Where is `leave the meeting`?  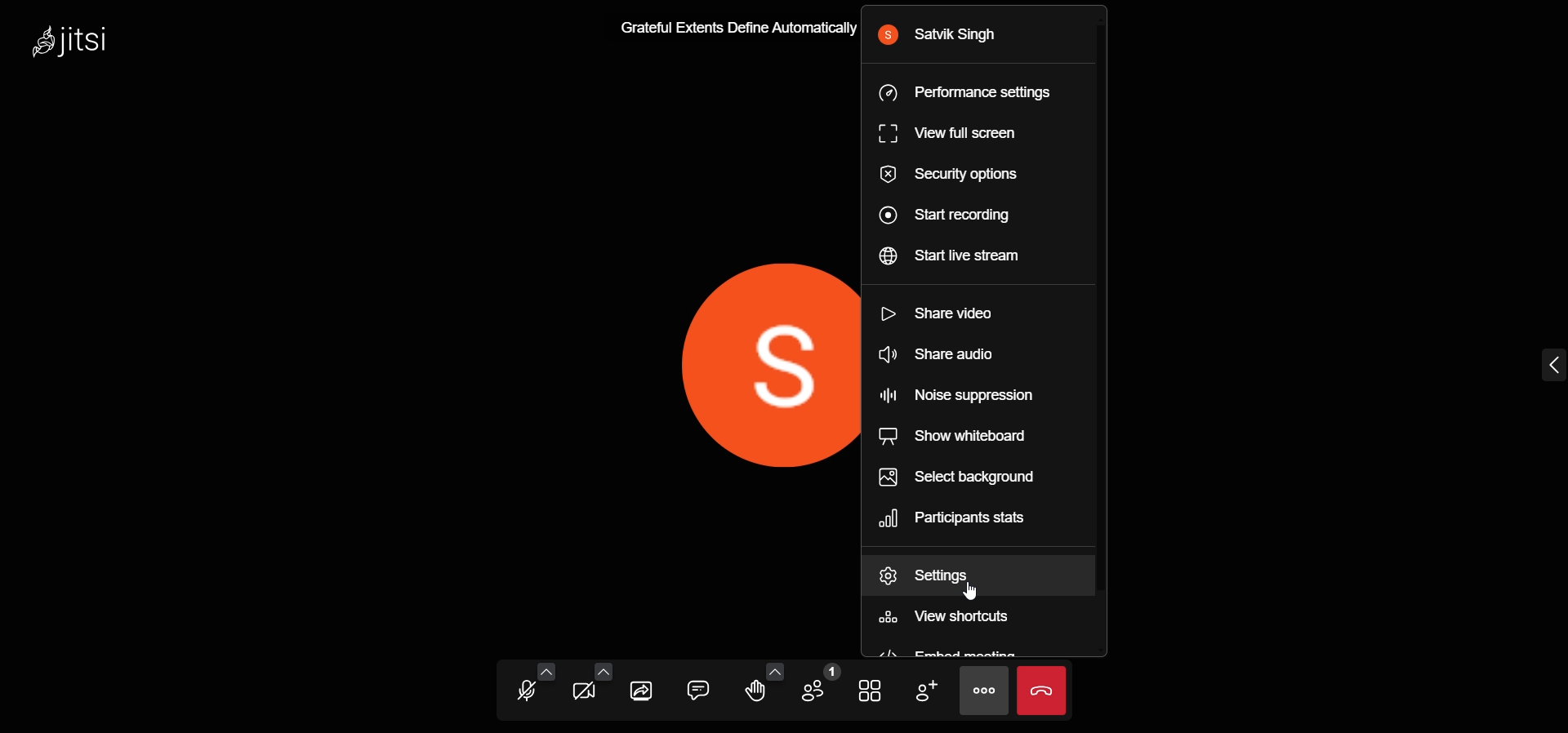 leave the meeting is located at coordinates (1042, 691).